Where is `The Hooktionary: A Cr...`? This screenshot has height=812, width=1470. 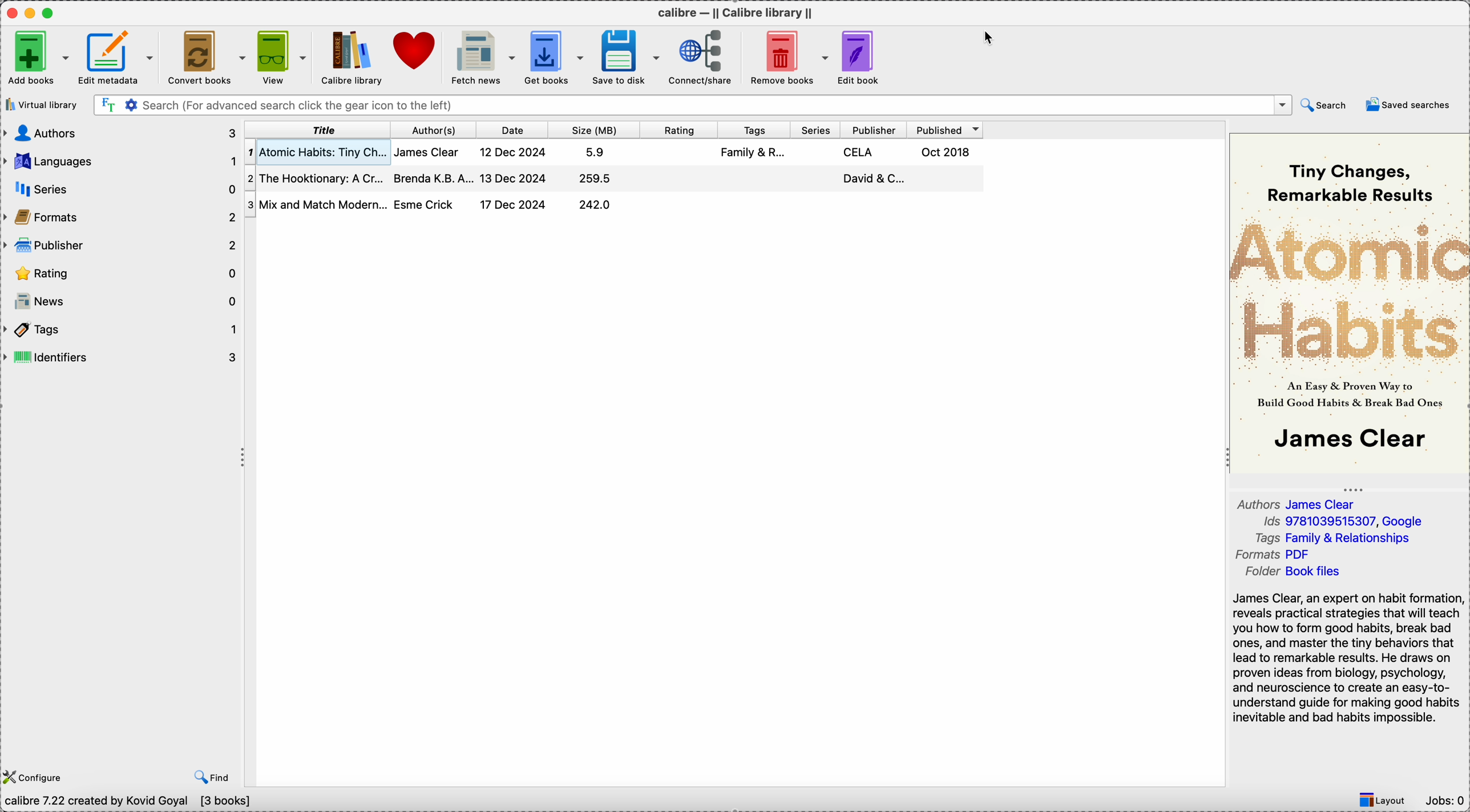 The Hooktionary: A Cr... is located at coordinates (315, 176).